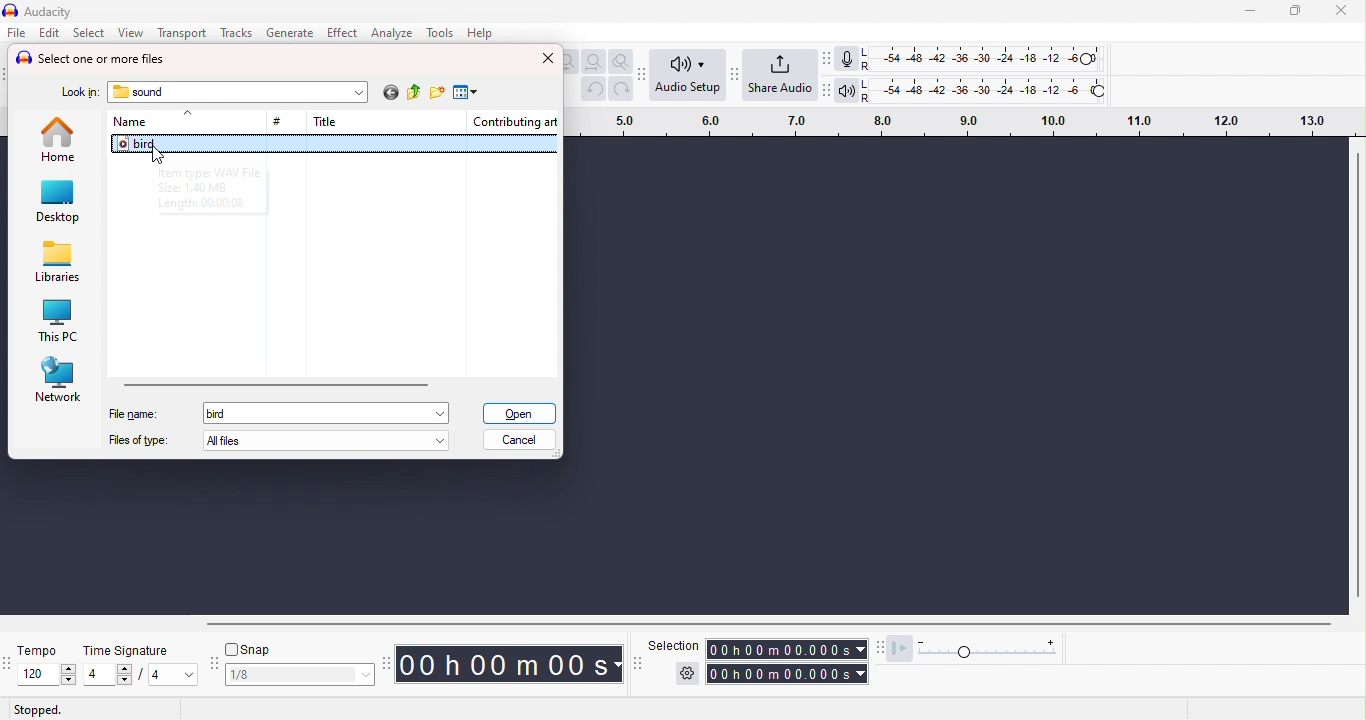 The height and width of the screenshot is (720, 1366). Describe the element at coordinates (157, 156) in the screenshot. I see `cursor moved` at that location.